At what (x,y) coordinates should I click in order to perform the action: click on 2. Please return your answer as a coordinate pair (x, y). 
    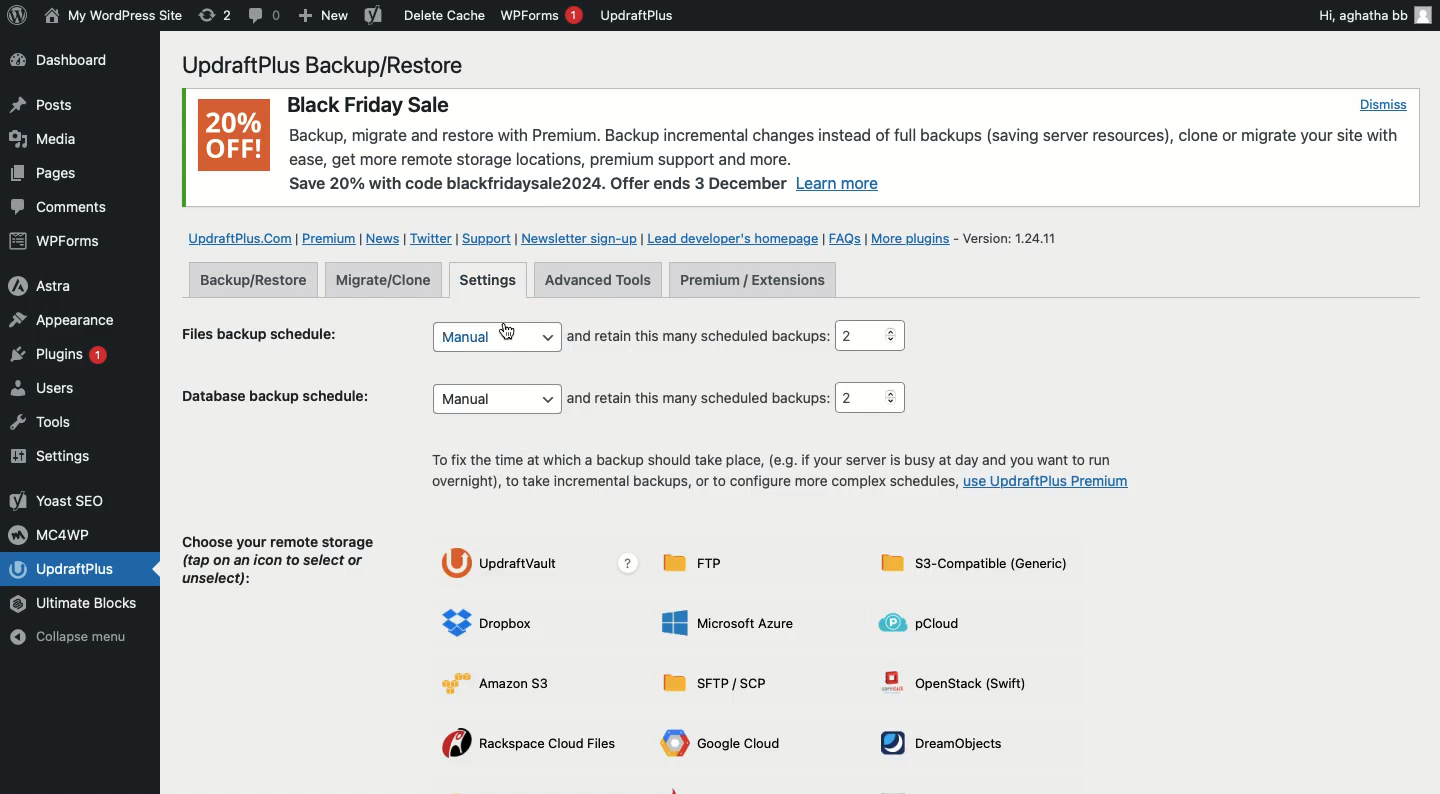
    Looking at the image, I should click on (869, 398).